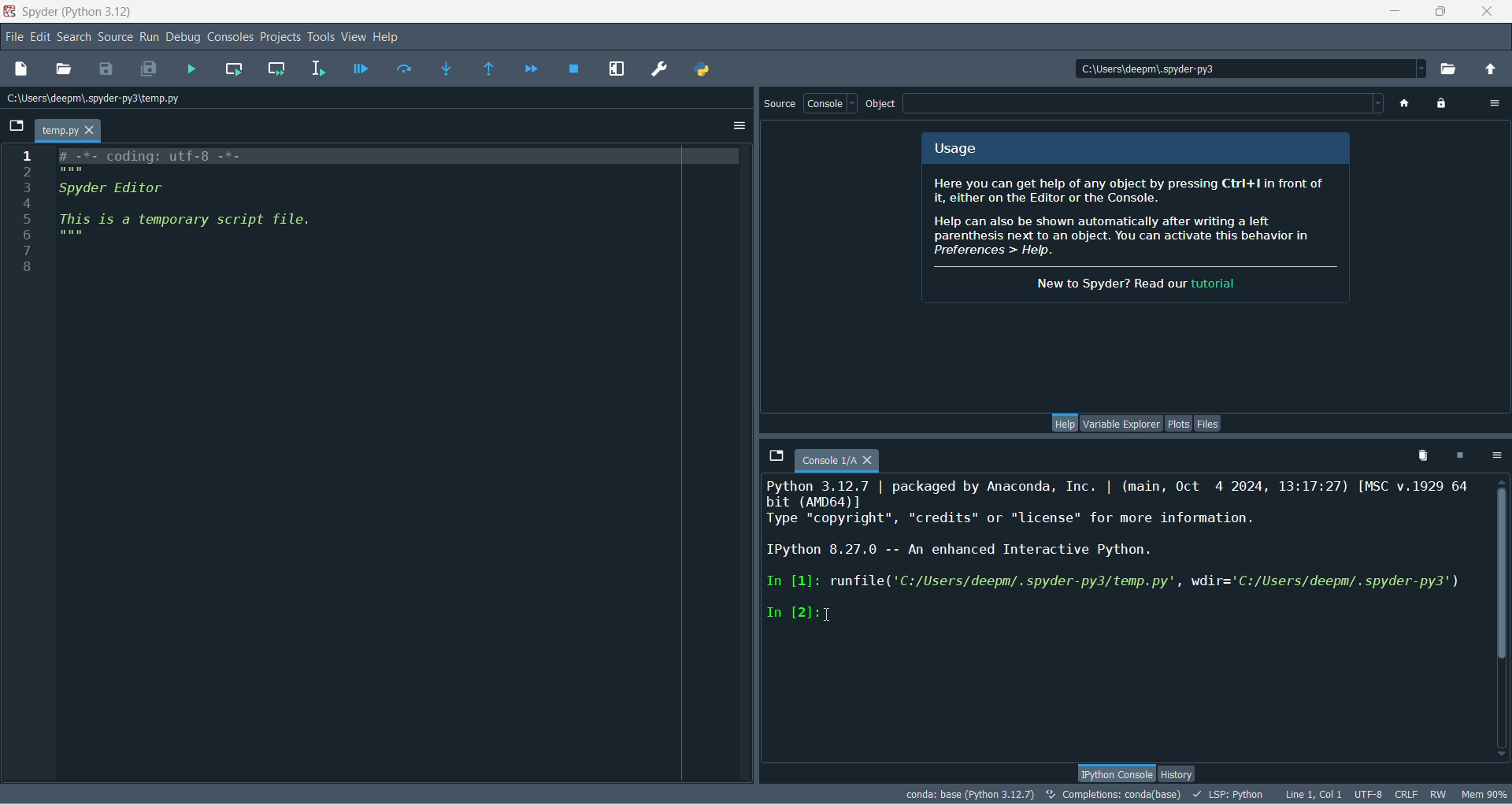  I want to click on blank space, so click(1144, 103).